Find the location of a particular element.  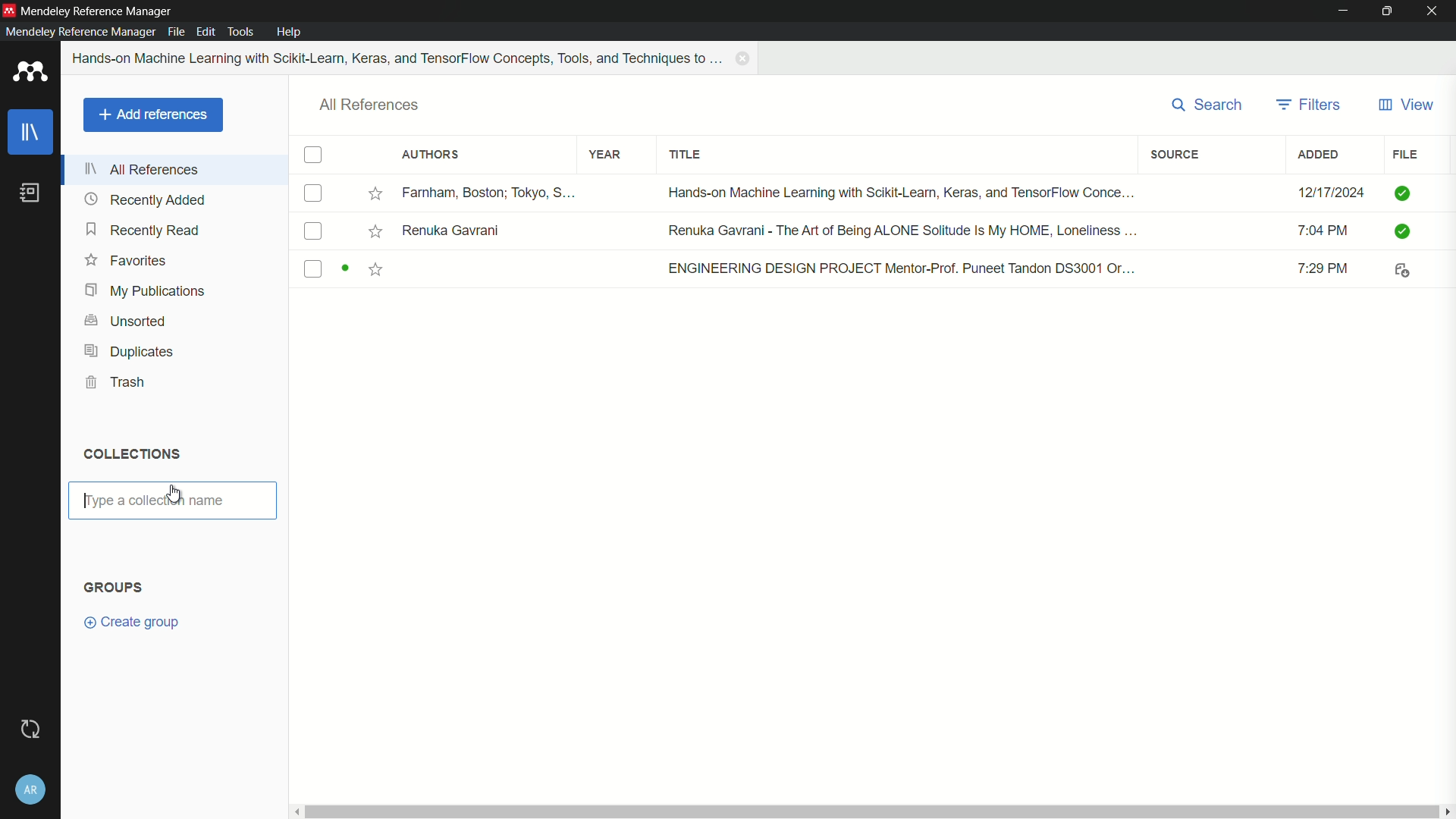

favorites is located at coordinates (126, 260).